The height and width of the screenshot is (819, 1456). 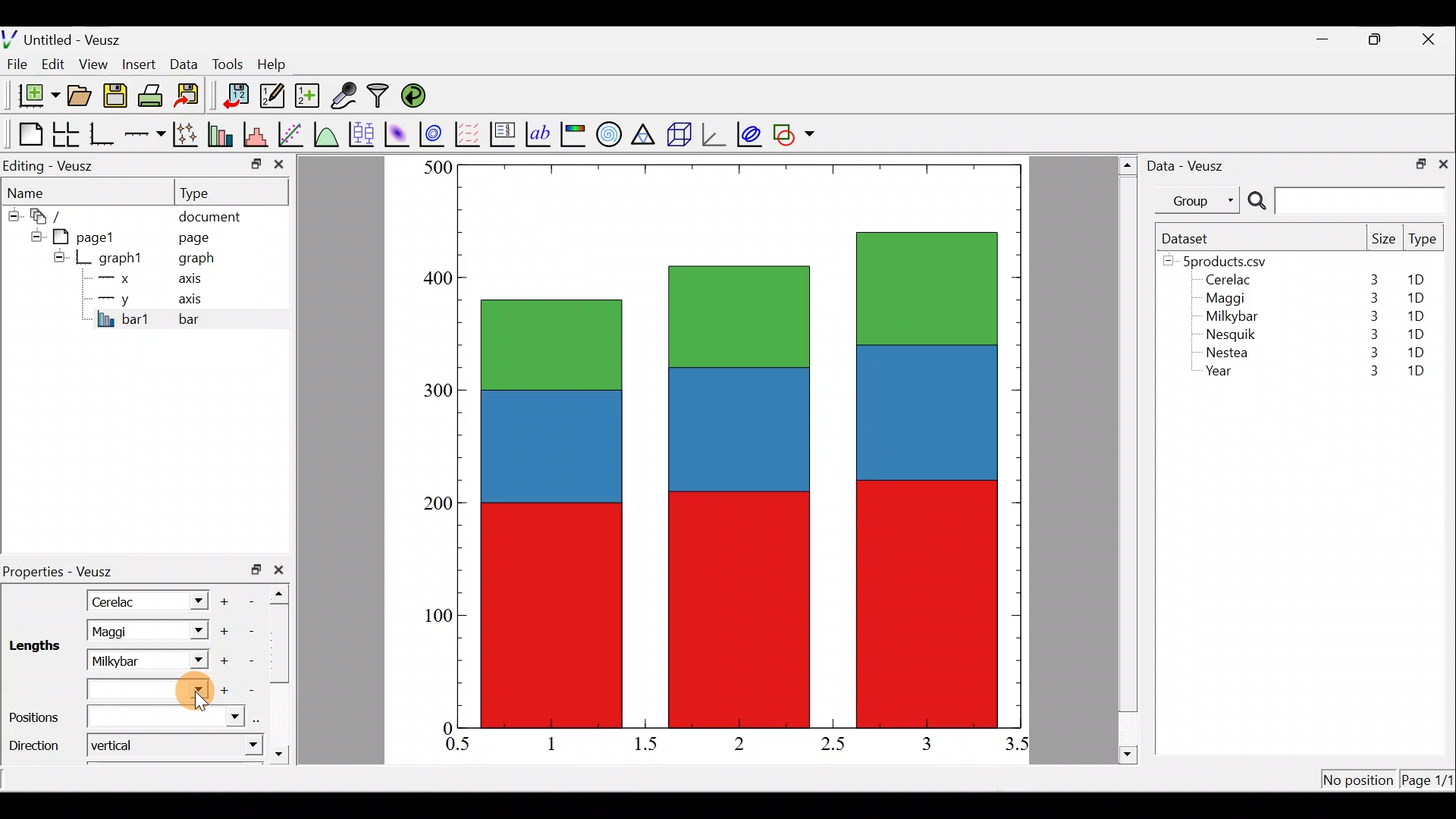 What do you see at coordinates (148, 134) in the screenshot?
I see `Add an axis to the plot` at bounding box center [148, 134].